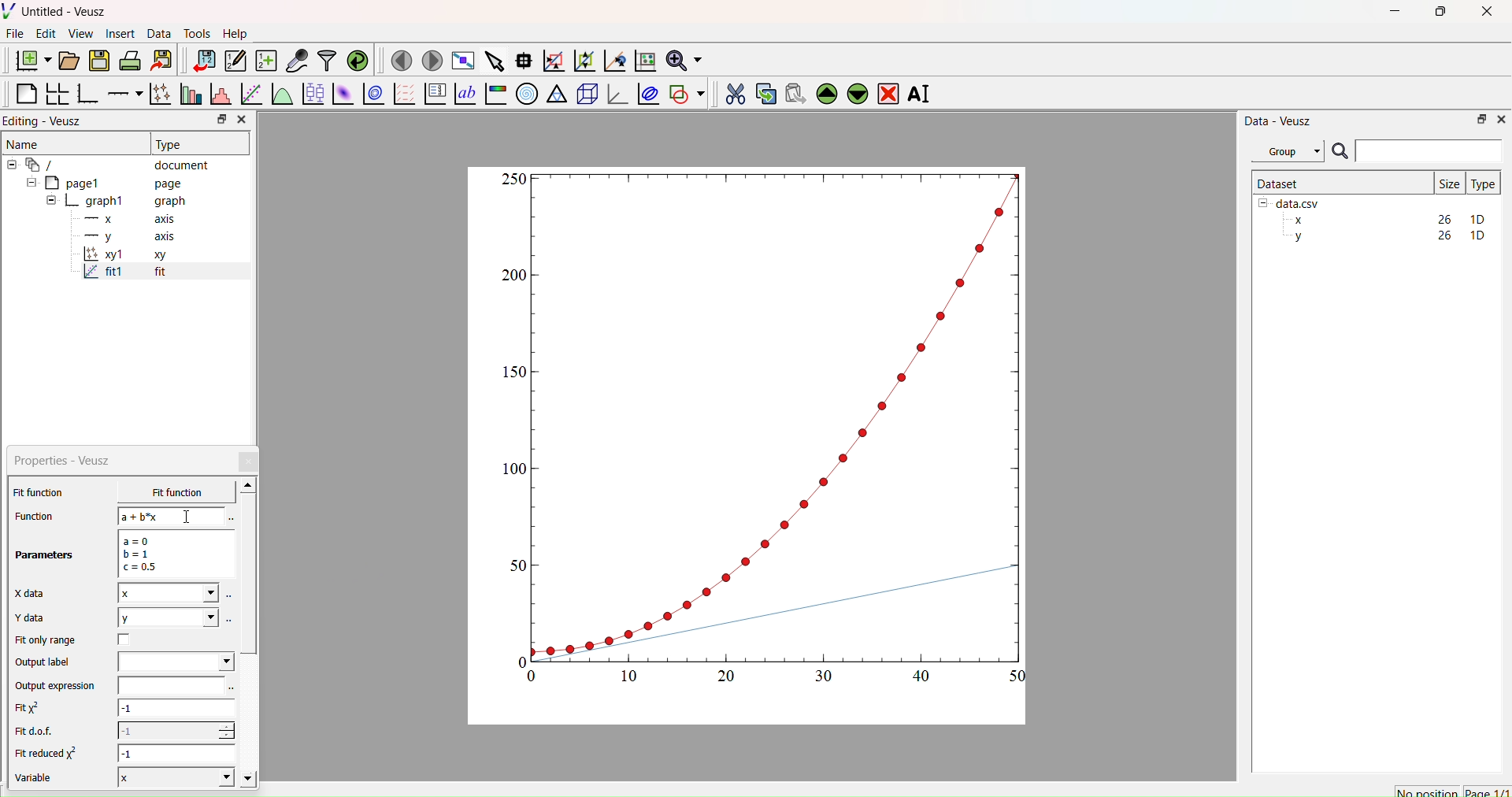  What do you see at coordinates (32, 516) in the screenshot?
I see `Function` at bounding box center [32, 516].